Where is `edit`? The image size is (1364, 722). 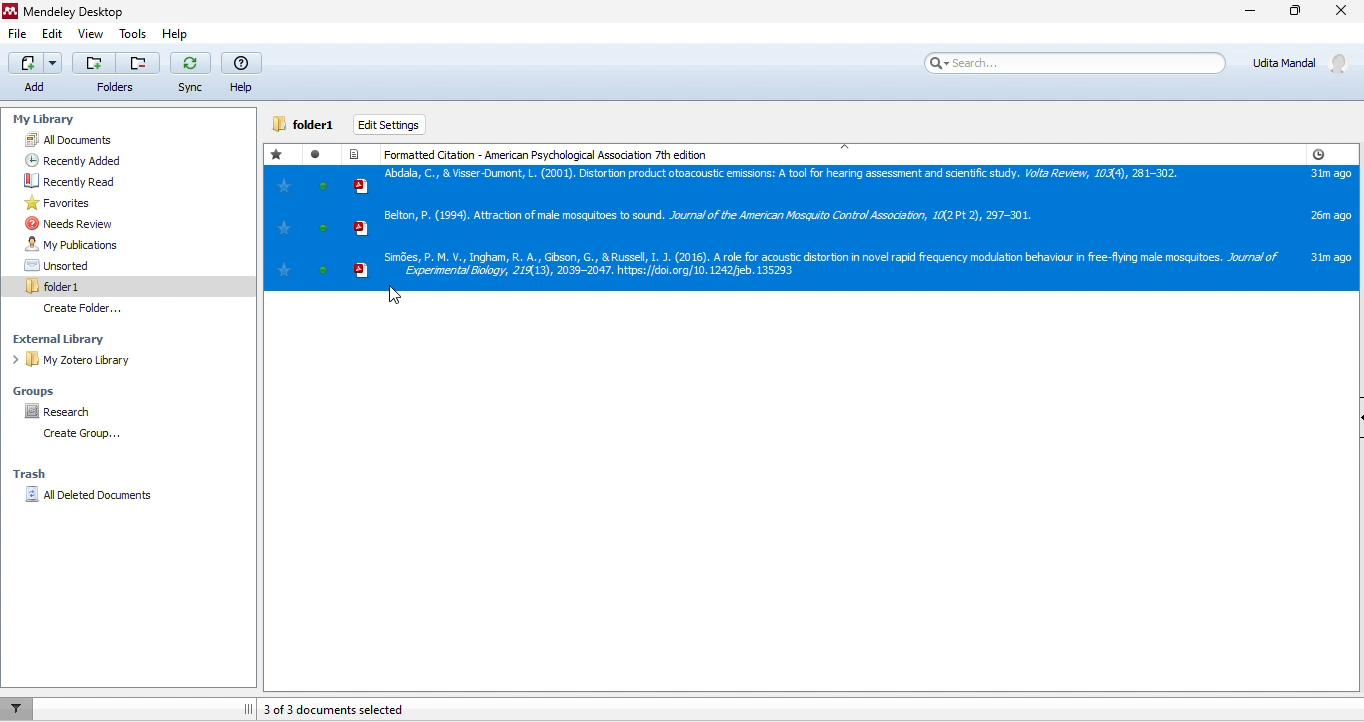
edit is located at coordinates (54, 34).